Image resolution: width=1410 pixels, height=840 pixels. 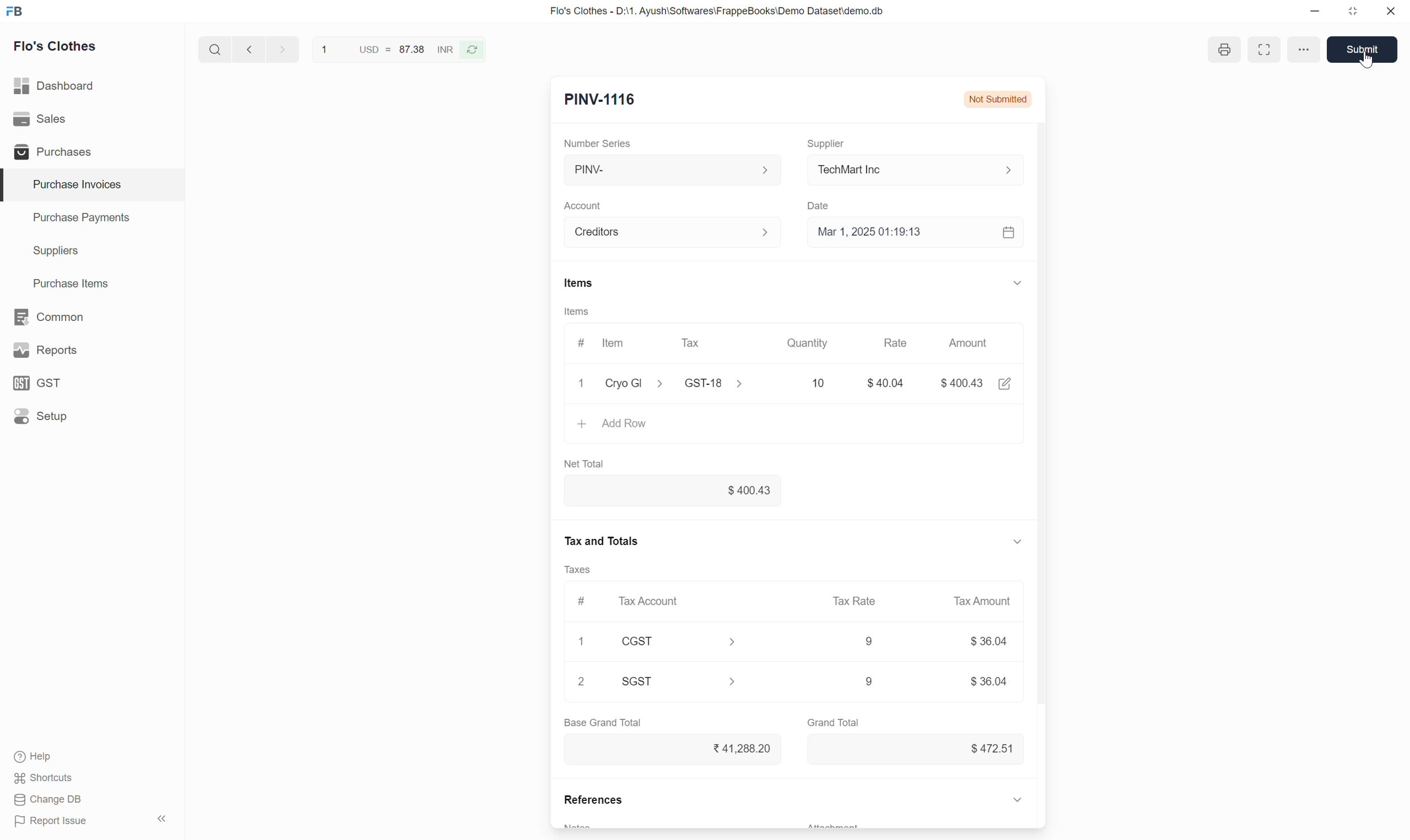 What do you see at coordinates (824, 203) in the screenshot?
I see `Date` at bounding box center [824, 203].